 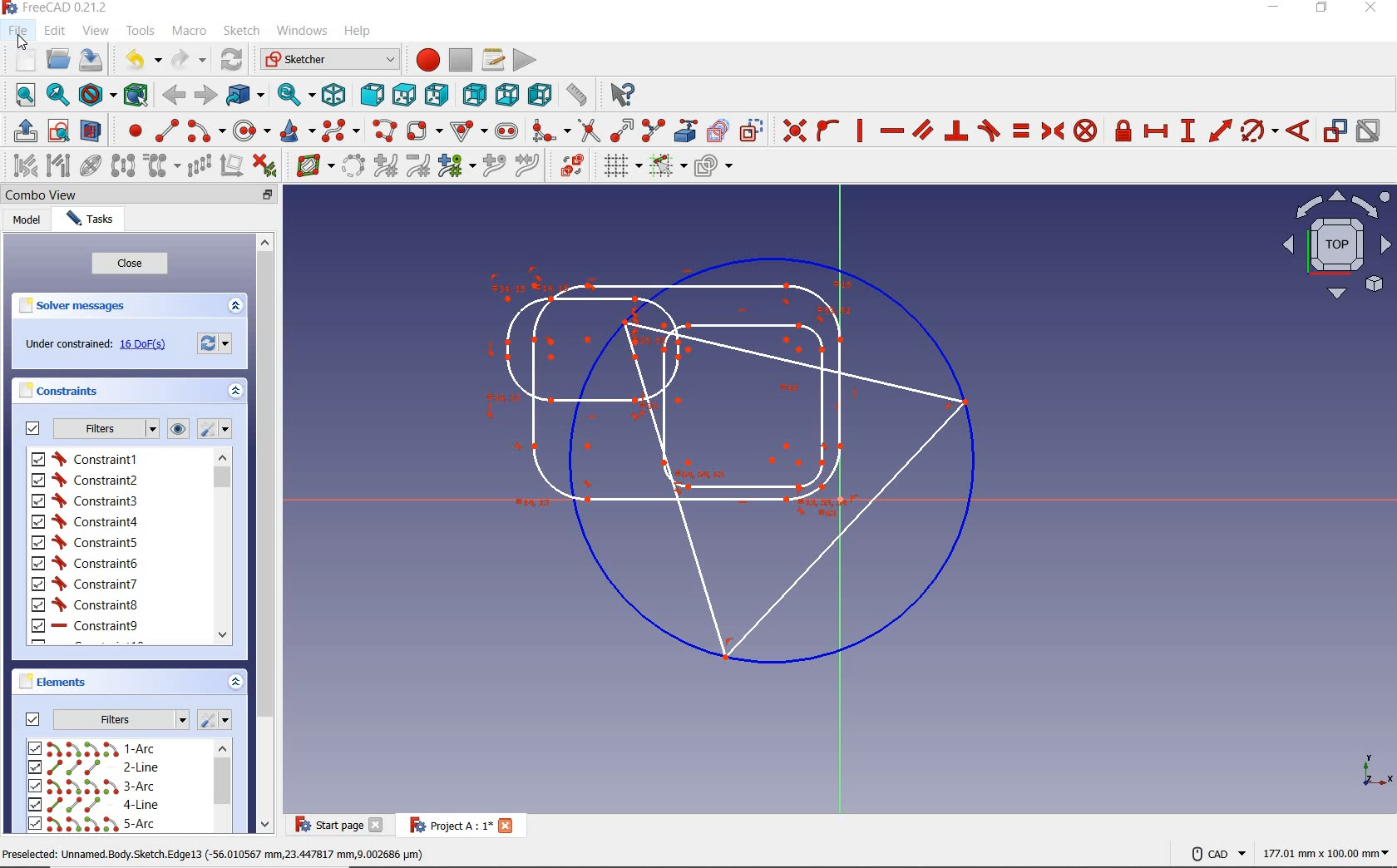 What do you see at coordinates (294, 131) in the screenshot?
I see `create conic` at bounding box center [294, 131].